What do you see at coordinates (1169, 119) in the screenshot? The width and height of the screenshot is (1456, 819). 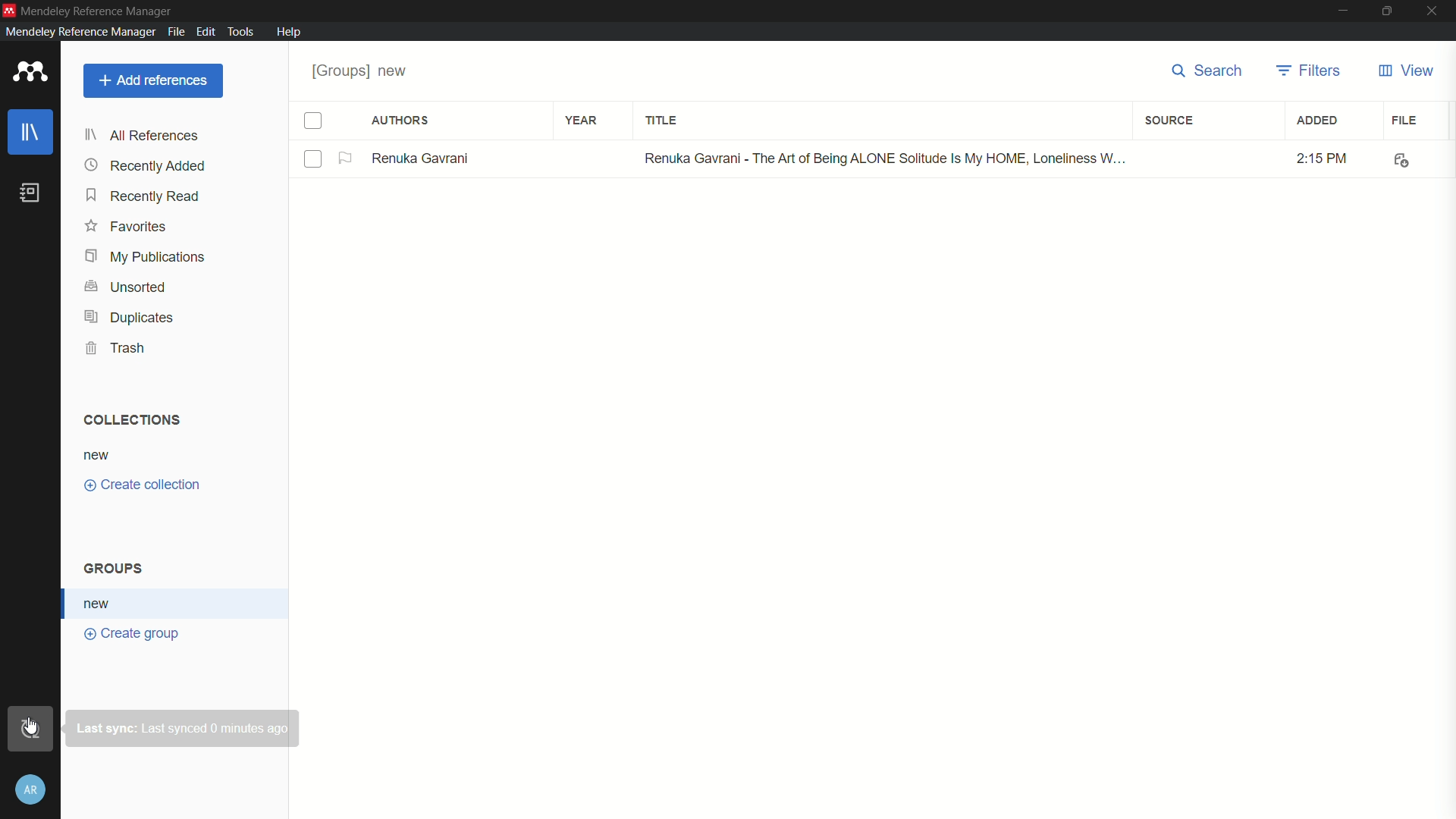 I see `source` at bounding box center [1169, 119].